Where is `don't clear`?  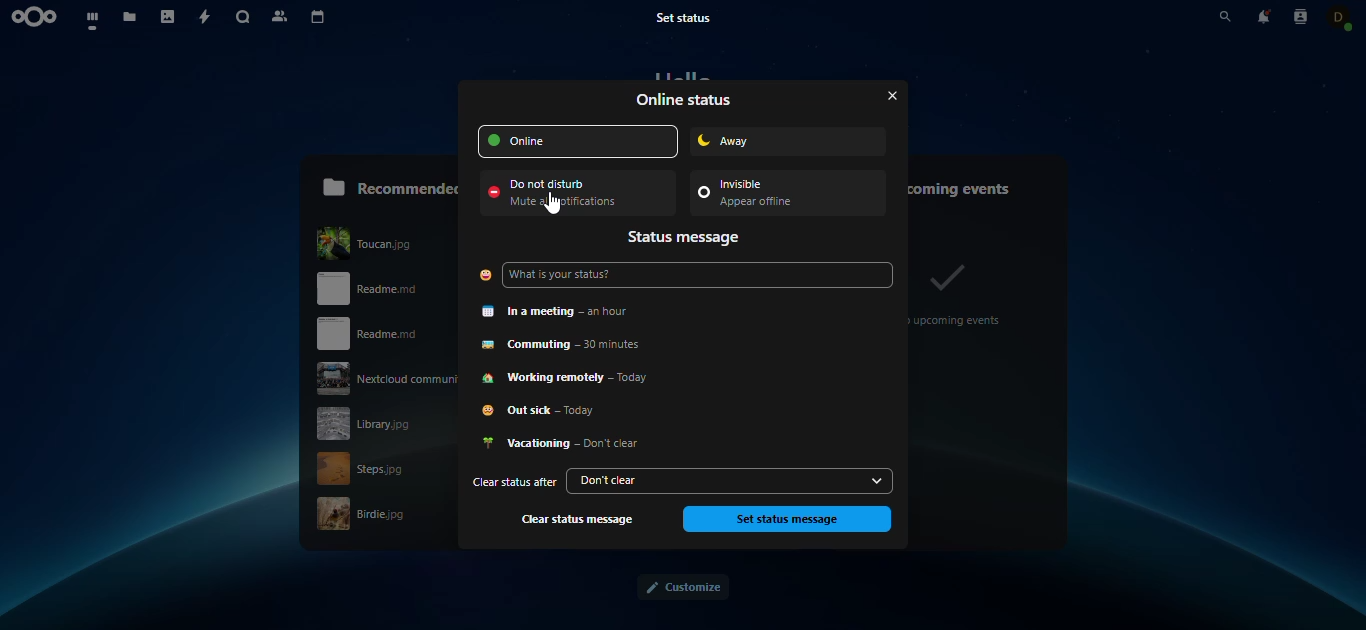
don't clear is located at coordinates (715, 480).